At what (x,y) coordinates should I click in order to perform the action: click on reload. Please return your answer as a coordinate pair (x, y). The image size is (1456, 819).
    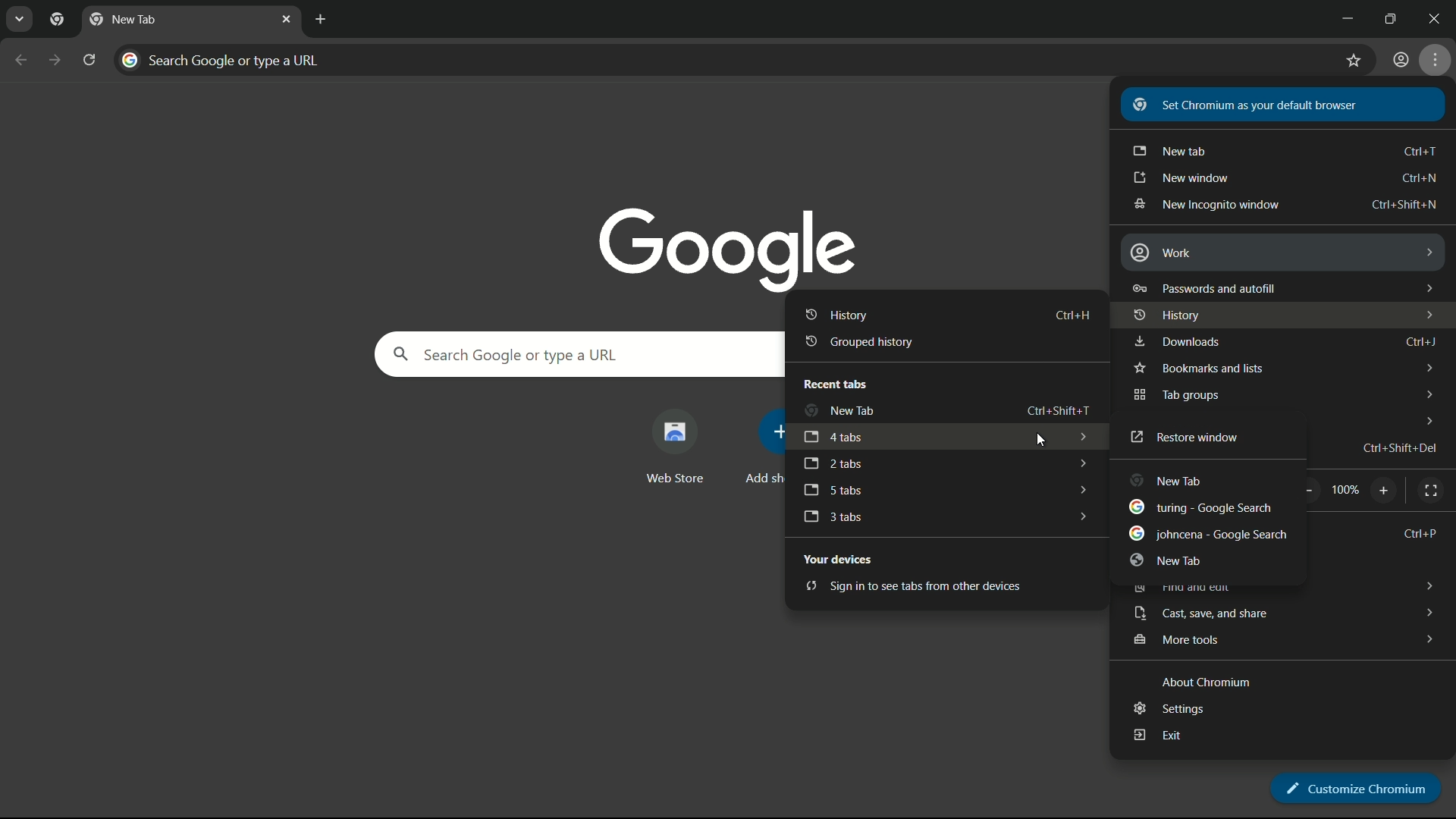
    Looking at the image, I should click on (89, 59).